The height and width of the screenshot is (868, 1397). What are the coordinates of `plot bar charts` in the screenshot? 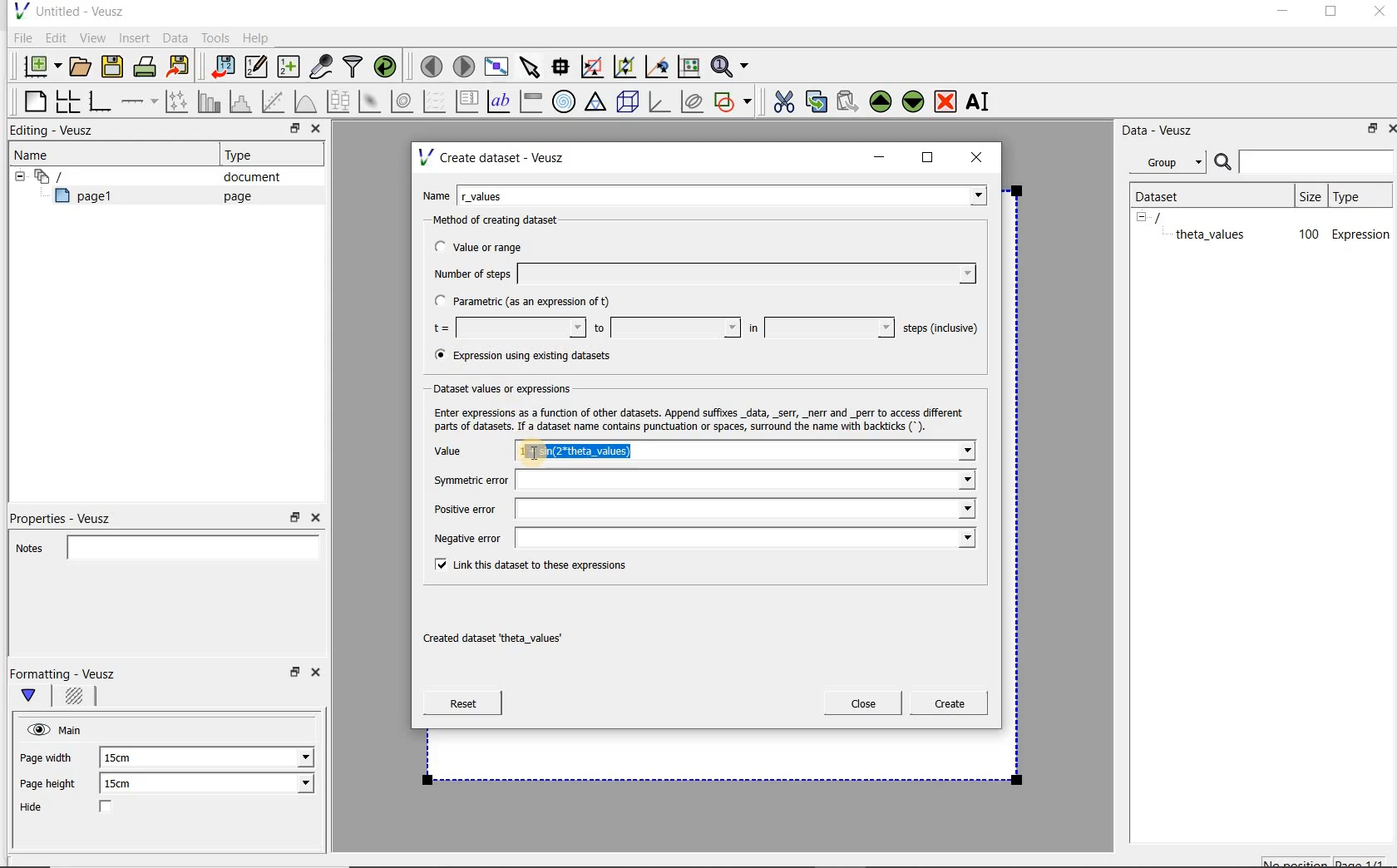 It's located at (210, 101).